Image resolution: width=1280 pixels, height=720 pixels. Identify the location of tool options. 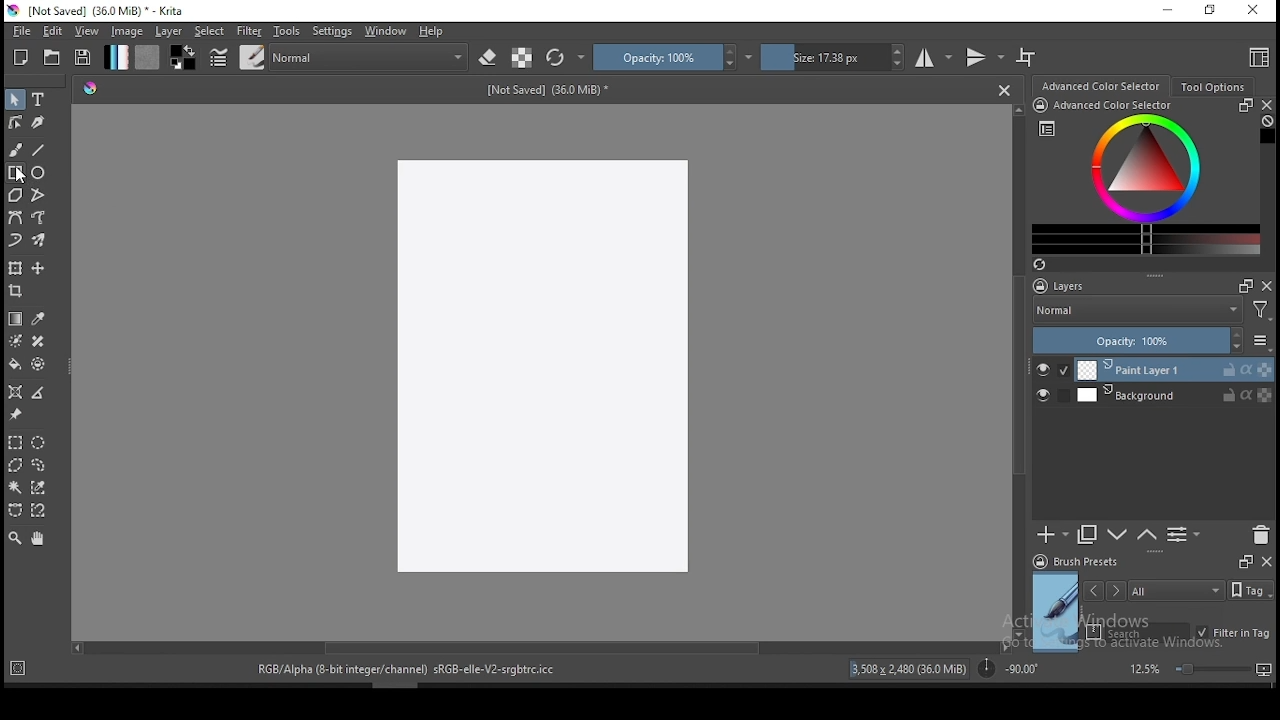
(1214, 87).